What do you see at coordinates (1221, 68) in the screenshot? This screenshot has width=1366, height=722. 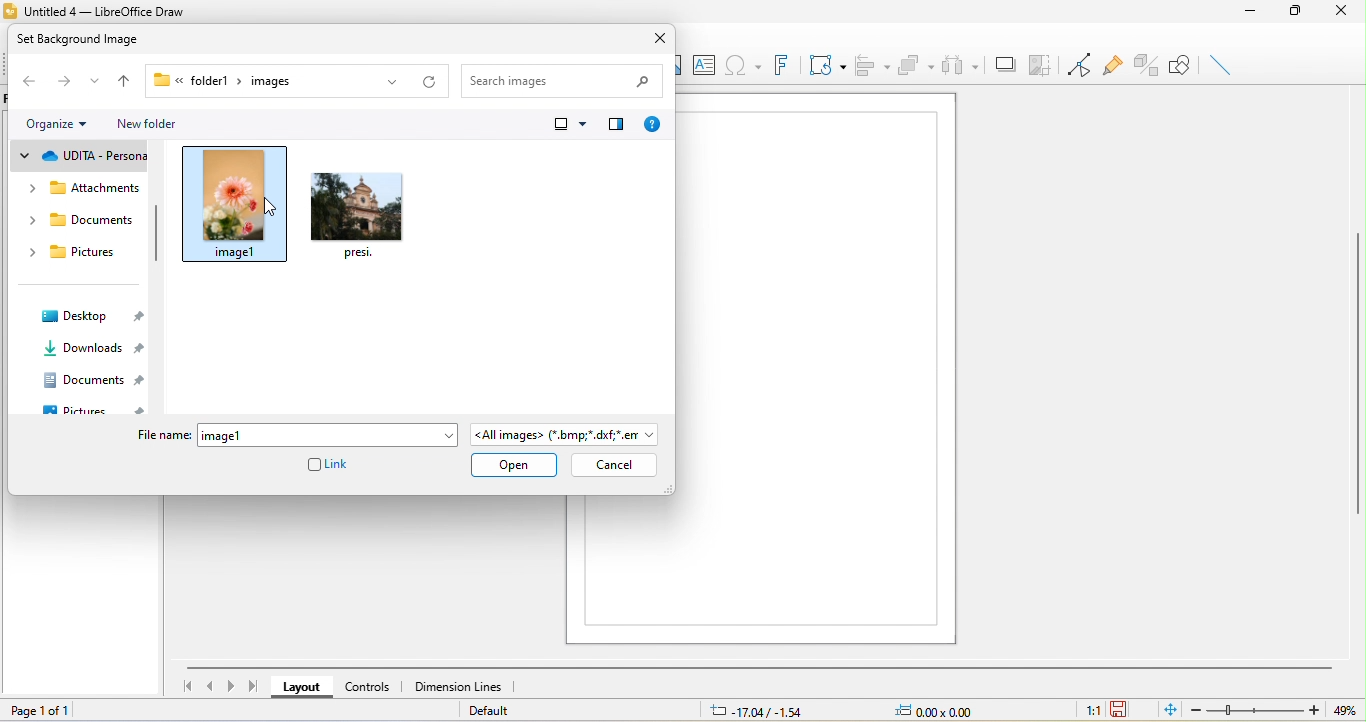 I see `insert line` at bounding box center [1221, 68].